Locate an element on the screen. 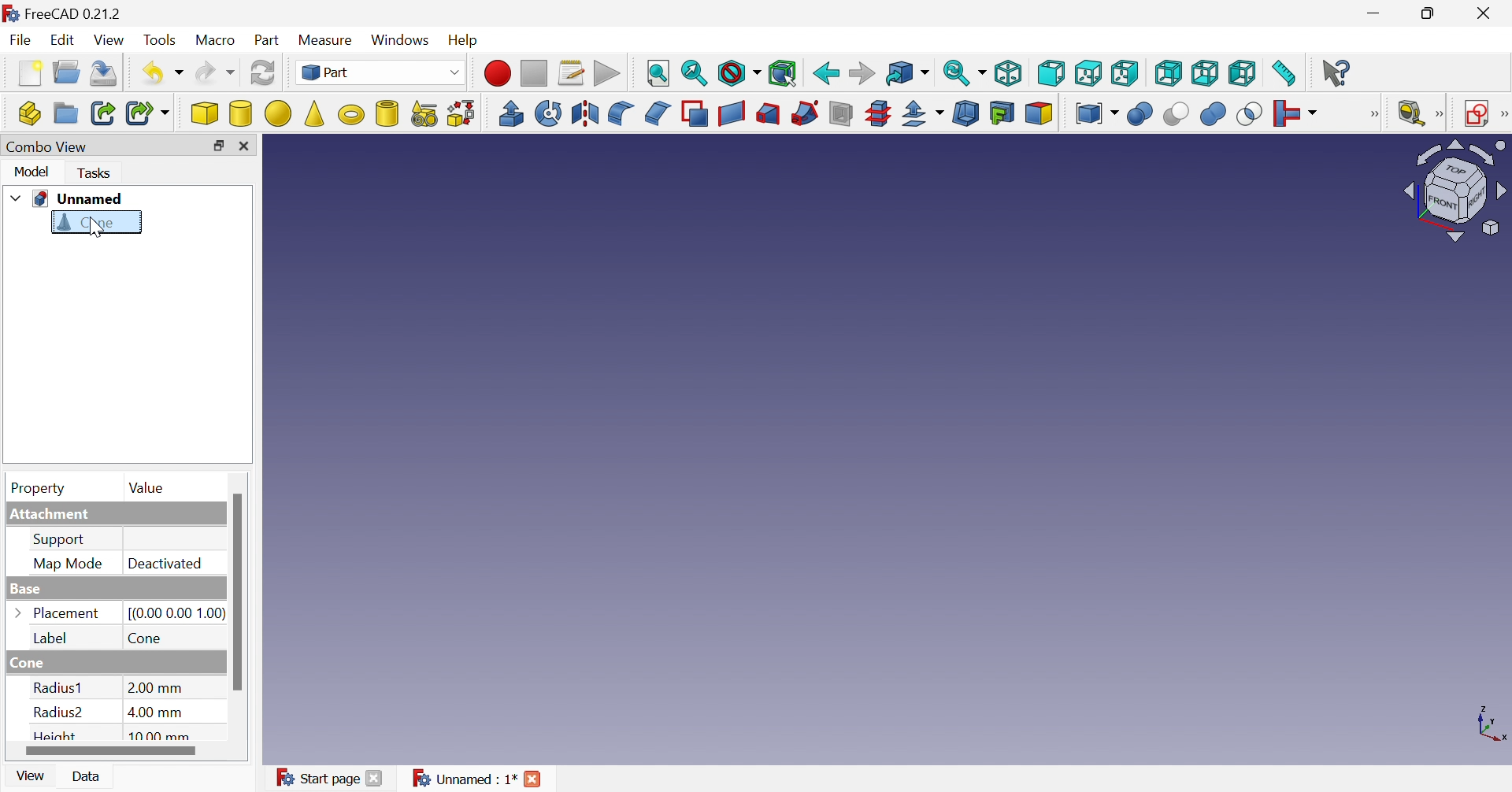 The height and width of the screenshot is (792, 1512). Create projection on surface is located at coordinates (1003, 114).